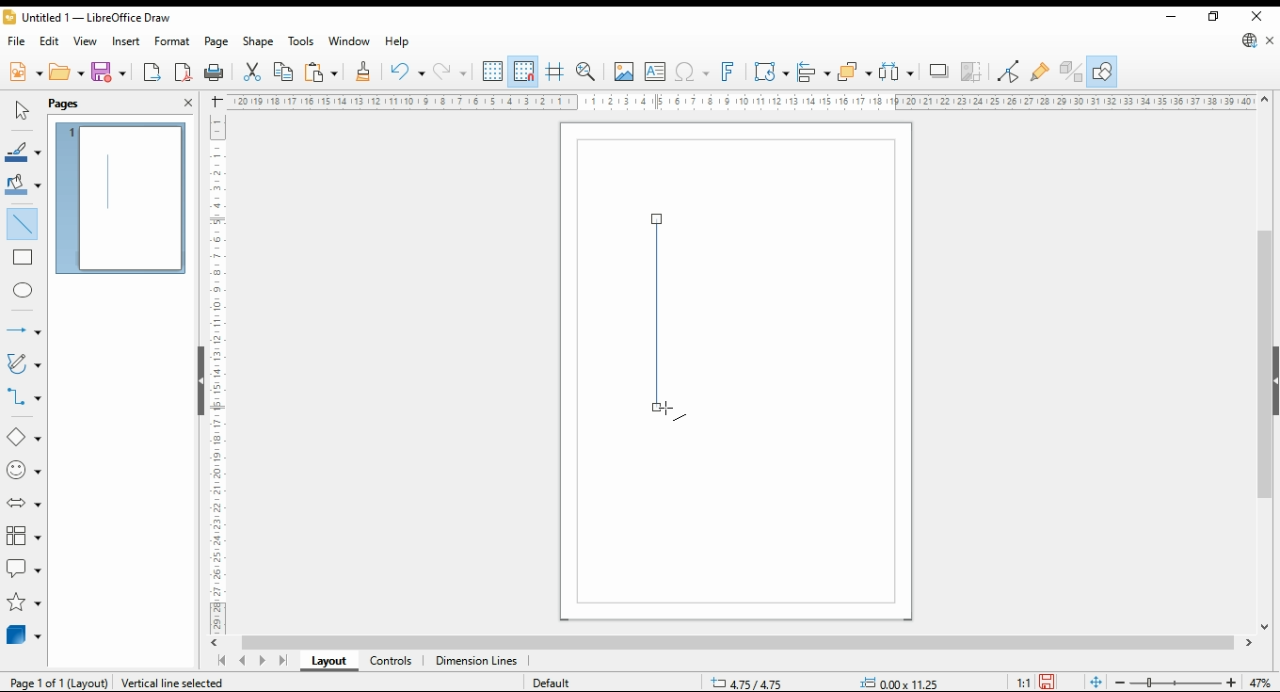  Describe the element at coordinates (450, 73) in the screenshot. I see `redo` at that location.